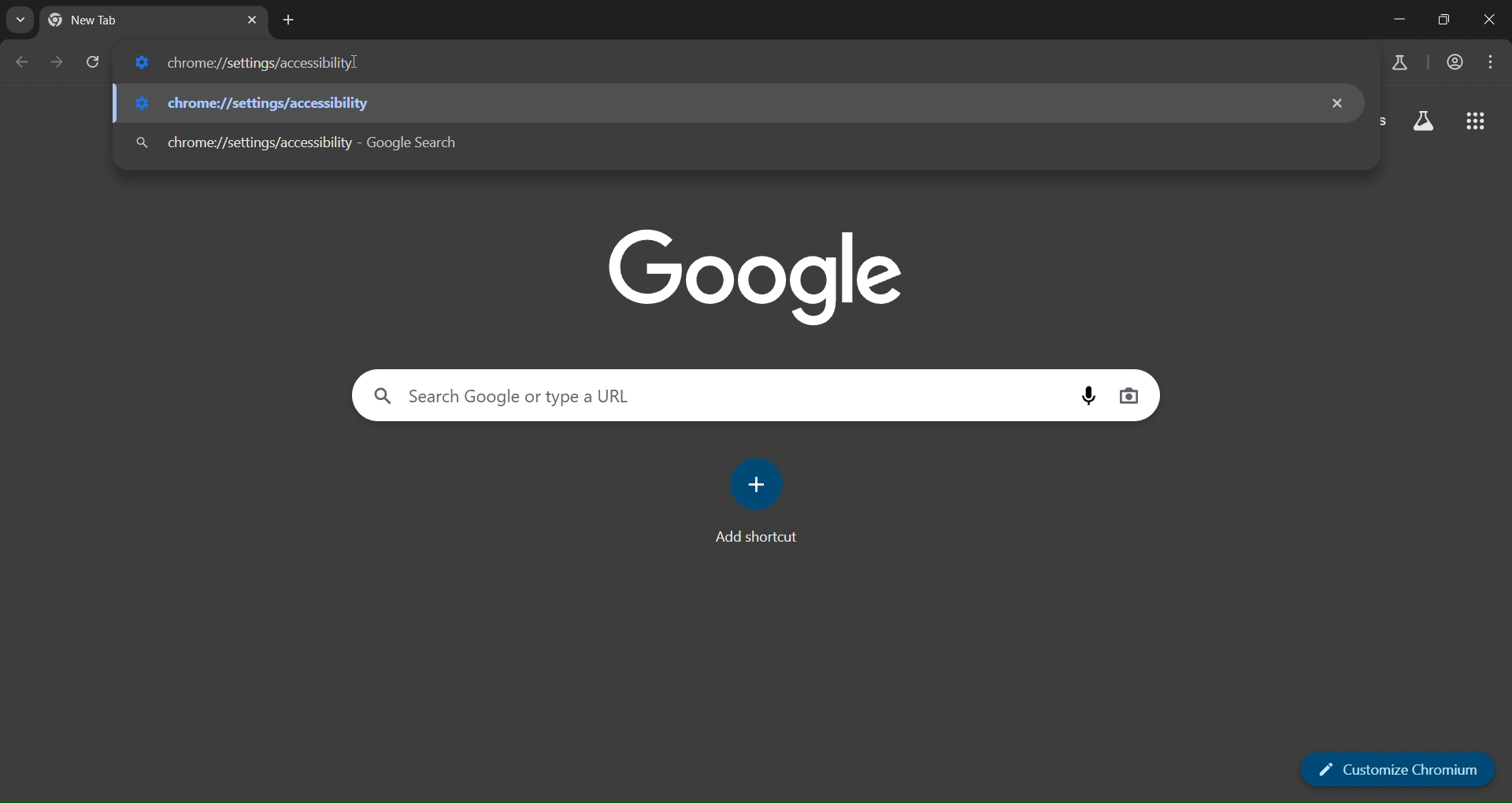  What do you see at coordinates (119, 22) in the screenshot?
I see `New Tab` at bounding box center [119, 22].